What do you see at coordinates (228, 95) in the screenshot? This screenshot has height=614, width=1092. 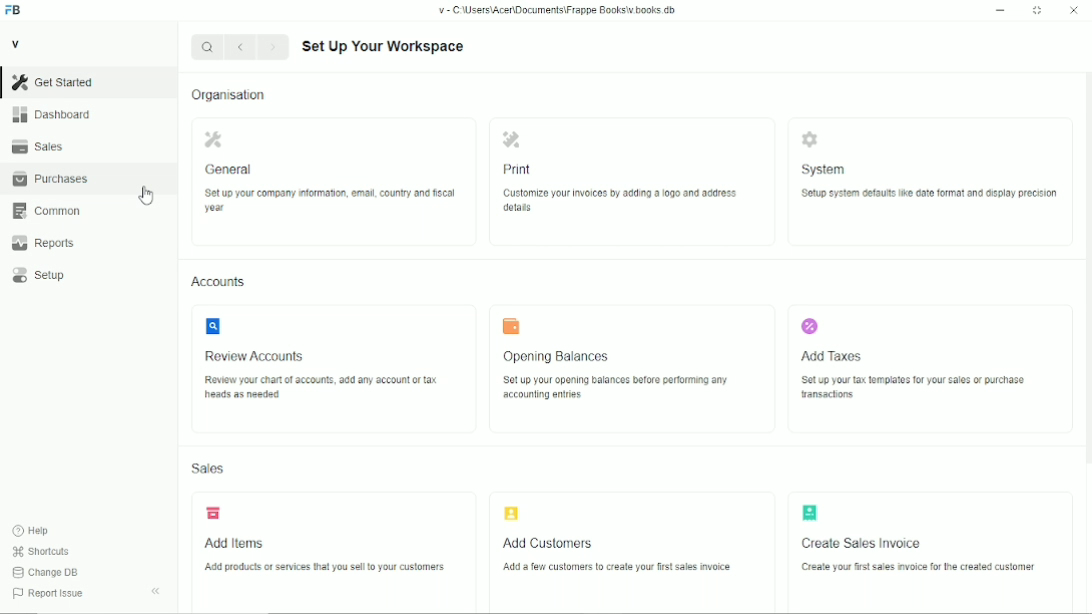 I see `Organisation` at bounding box center [228, 95].